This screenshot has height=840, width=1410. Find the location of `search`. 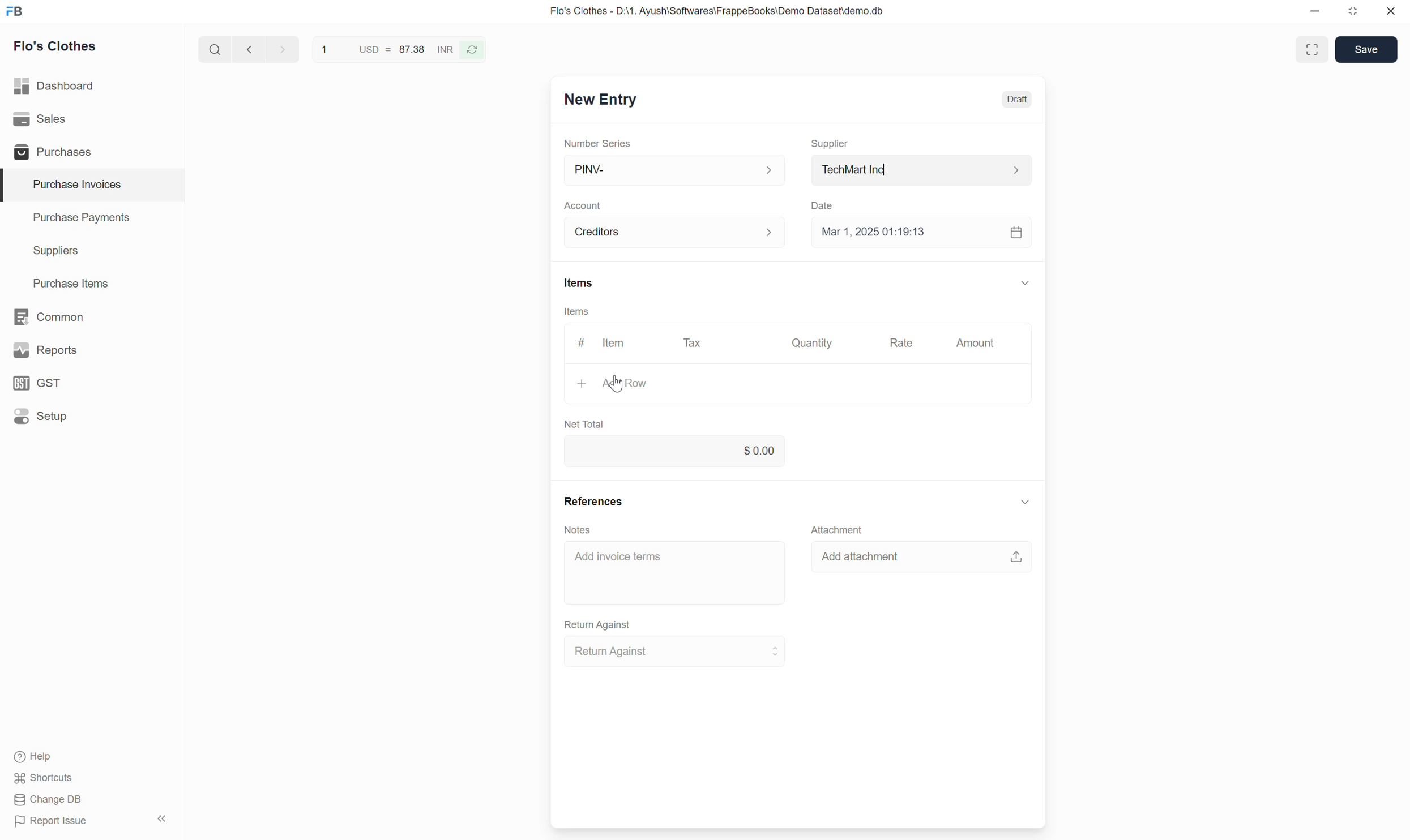

search is located at coordinates (213, 47).